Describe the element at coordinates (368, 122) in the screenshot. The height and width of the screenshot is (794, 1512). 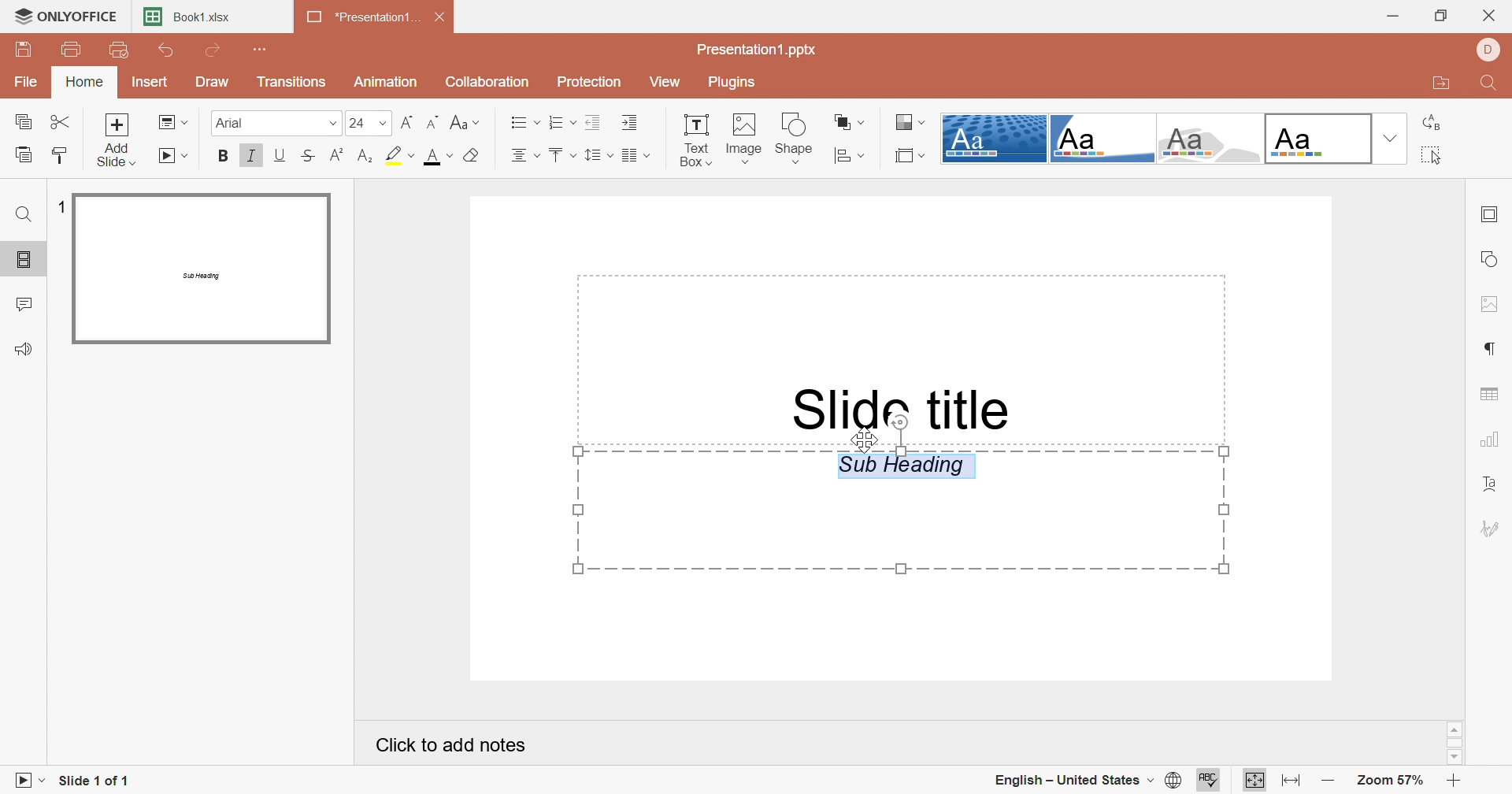
I see `24` at that location.